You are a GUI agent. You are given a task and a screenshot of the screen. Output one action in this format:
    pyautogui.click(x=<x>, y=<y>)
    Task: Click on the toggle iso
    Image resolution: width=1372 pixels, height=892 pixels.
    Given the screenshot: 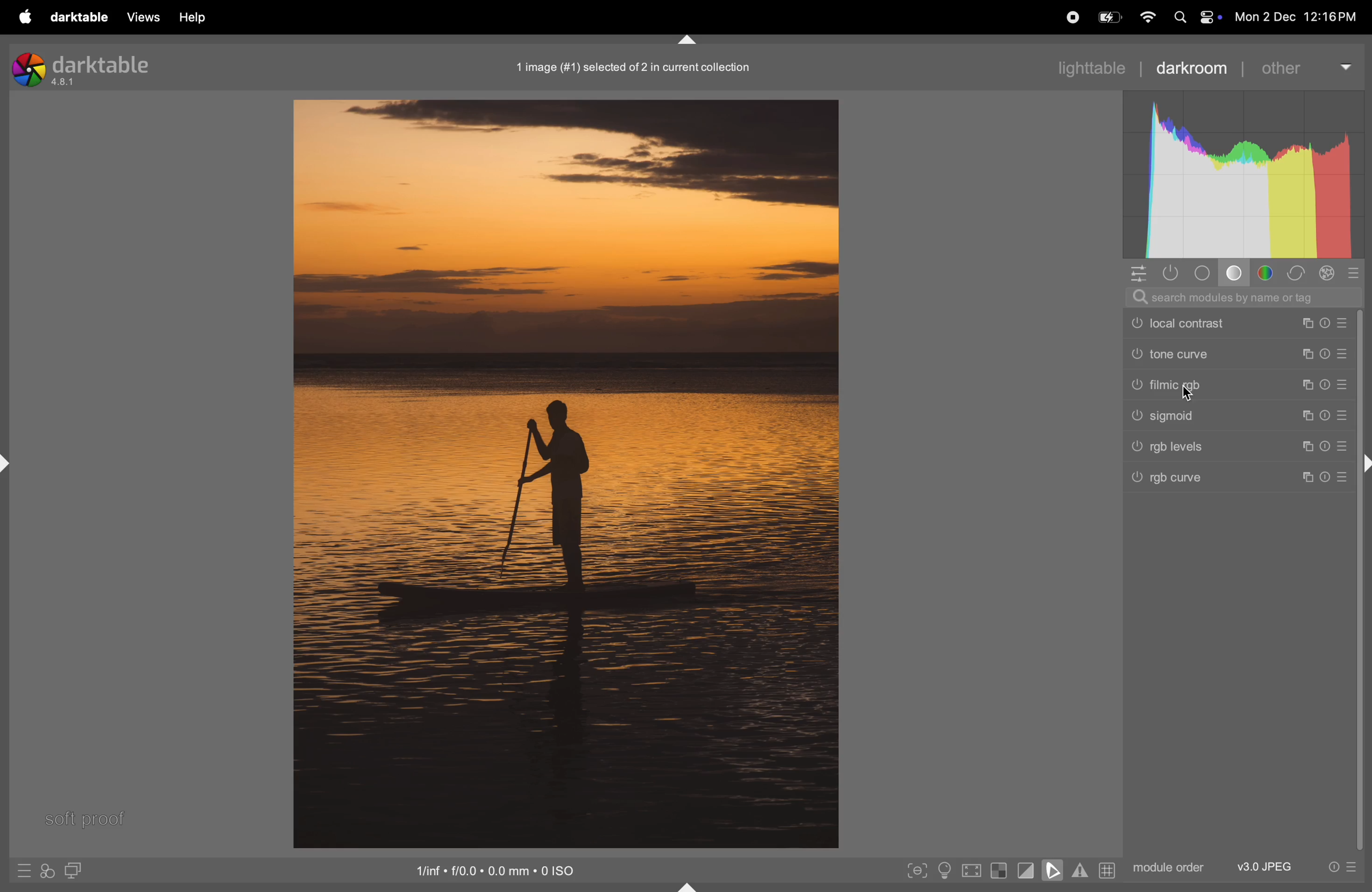 What is the action you would take?
    pyautogui.click(x=948, y=871)
    